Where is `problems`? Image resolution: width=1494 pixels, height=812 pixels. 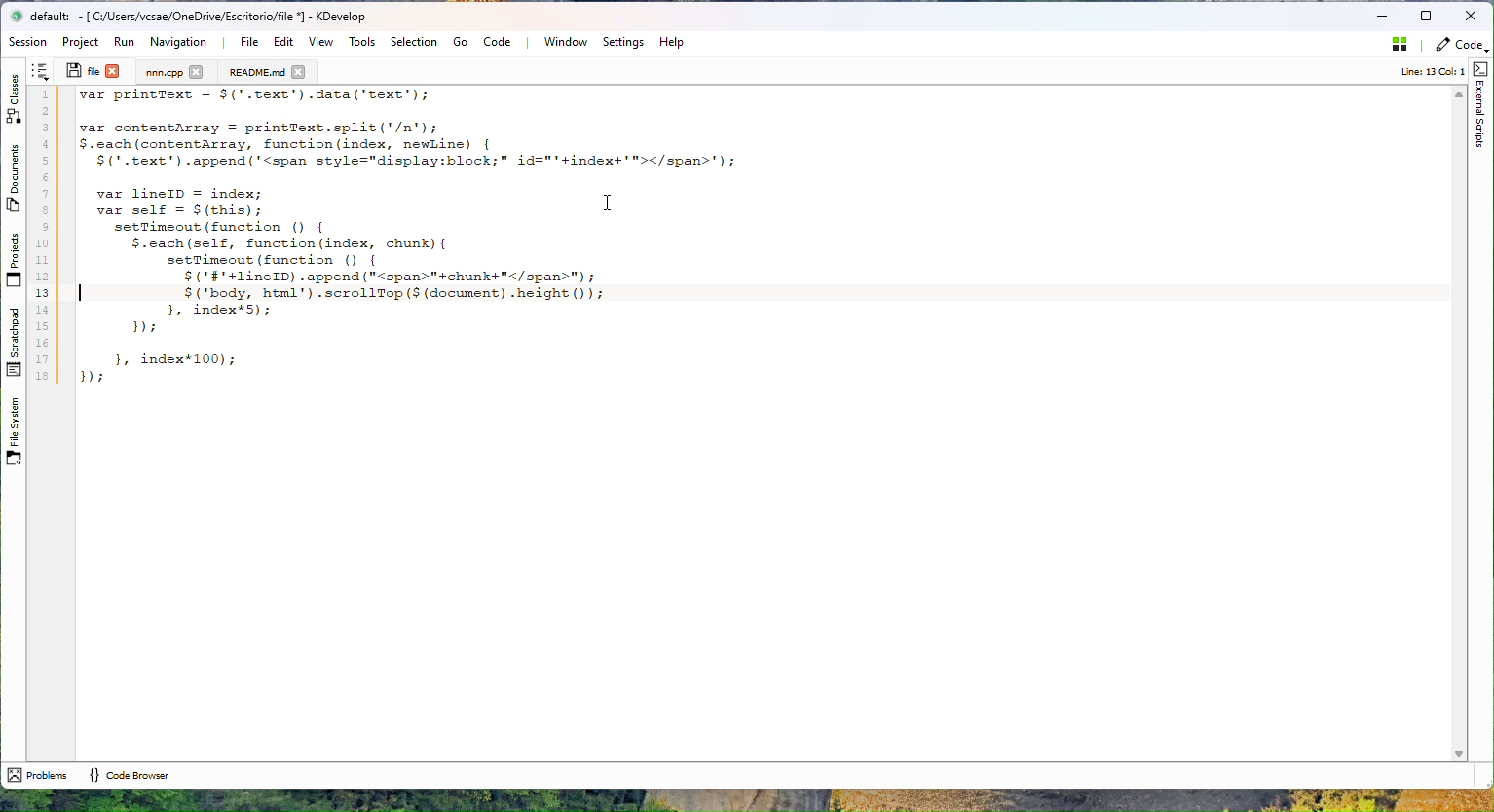 problems is located at coordinates (37, 775).